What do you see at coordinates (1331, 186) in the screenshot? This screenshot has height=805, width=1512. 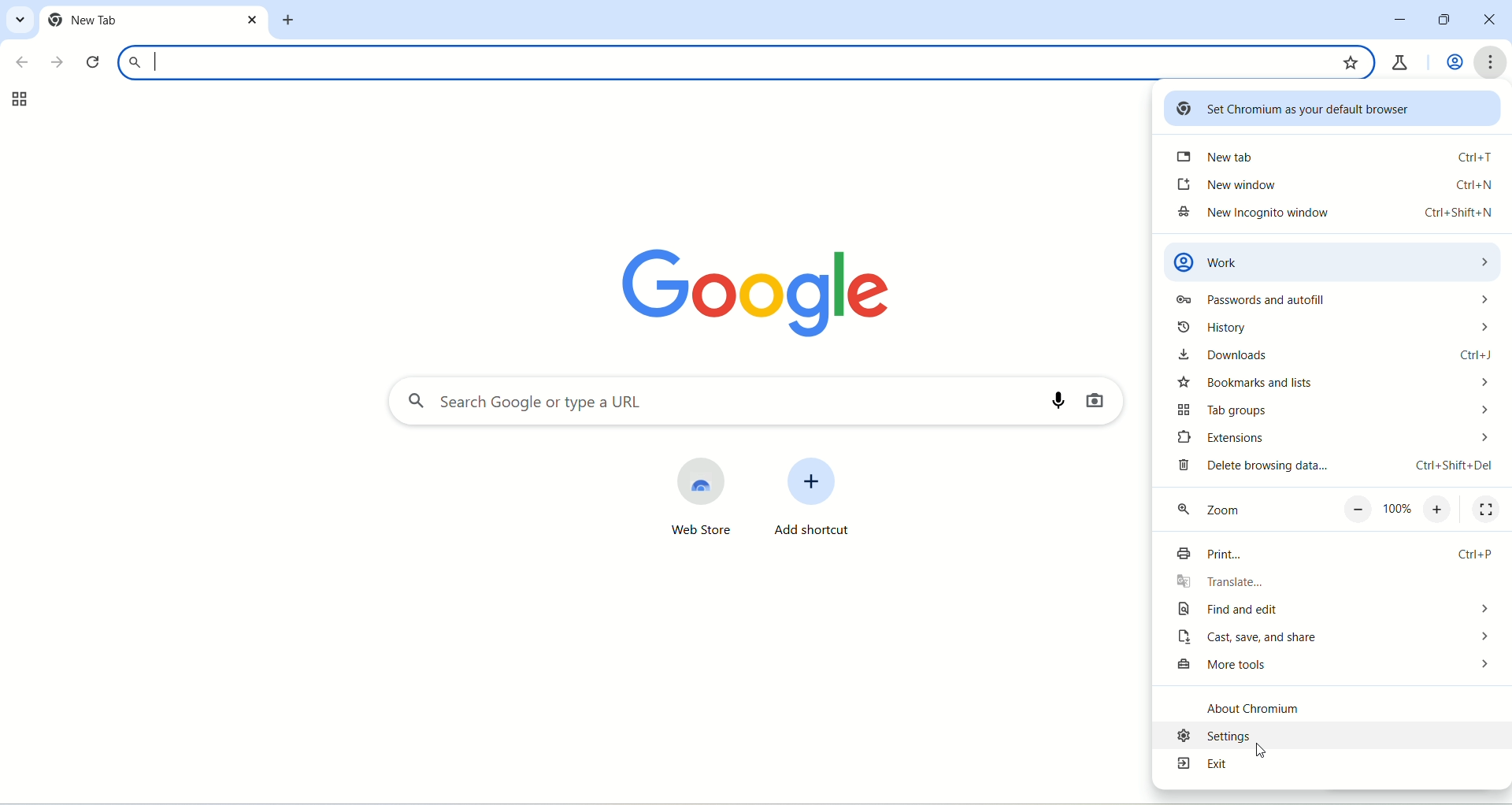 I see `new window ctrl+n` at bounding box center [1331, 186].